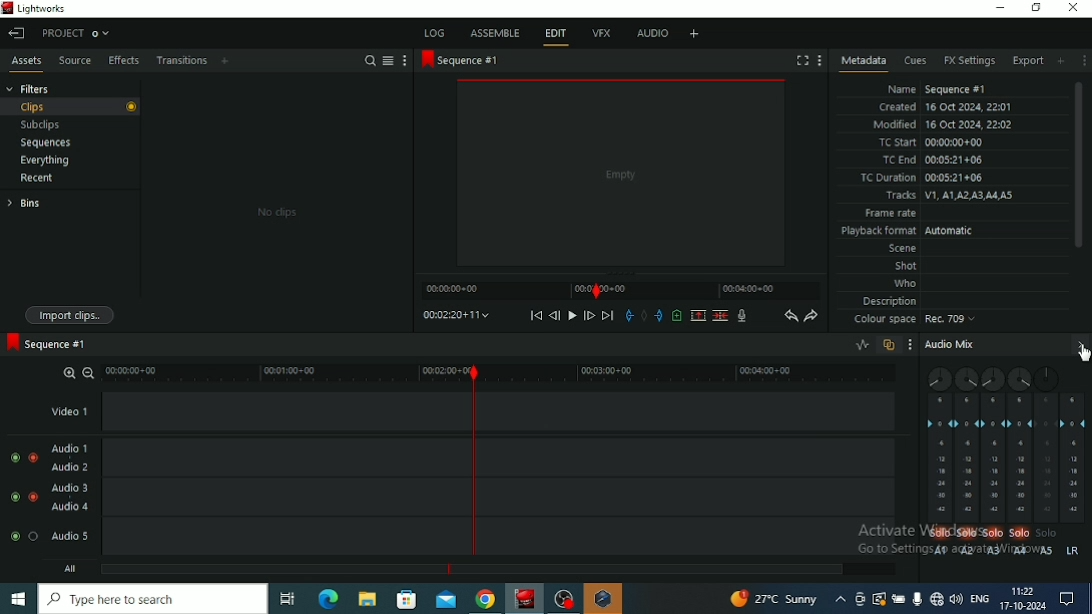 The height and width of the screenshot is (614, 1092). I want to click on Solo this track, so click(1023, 533).